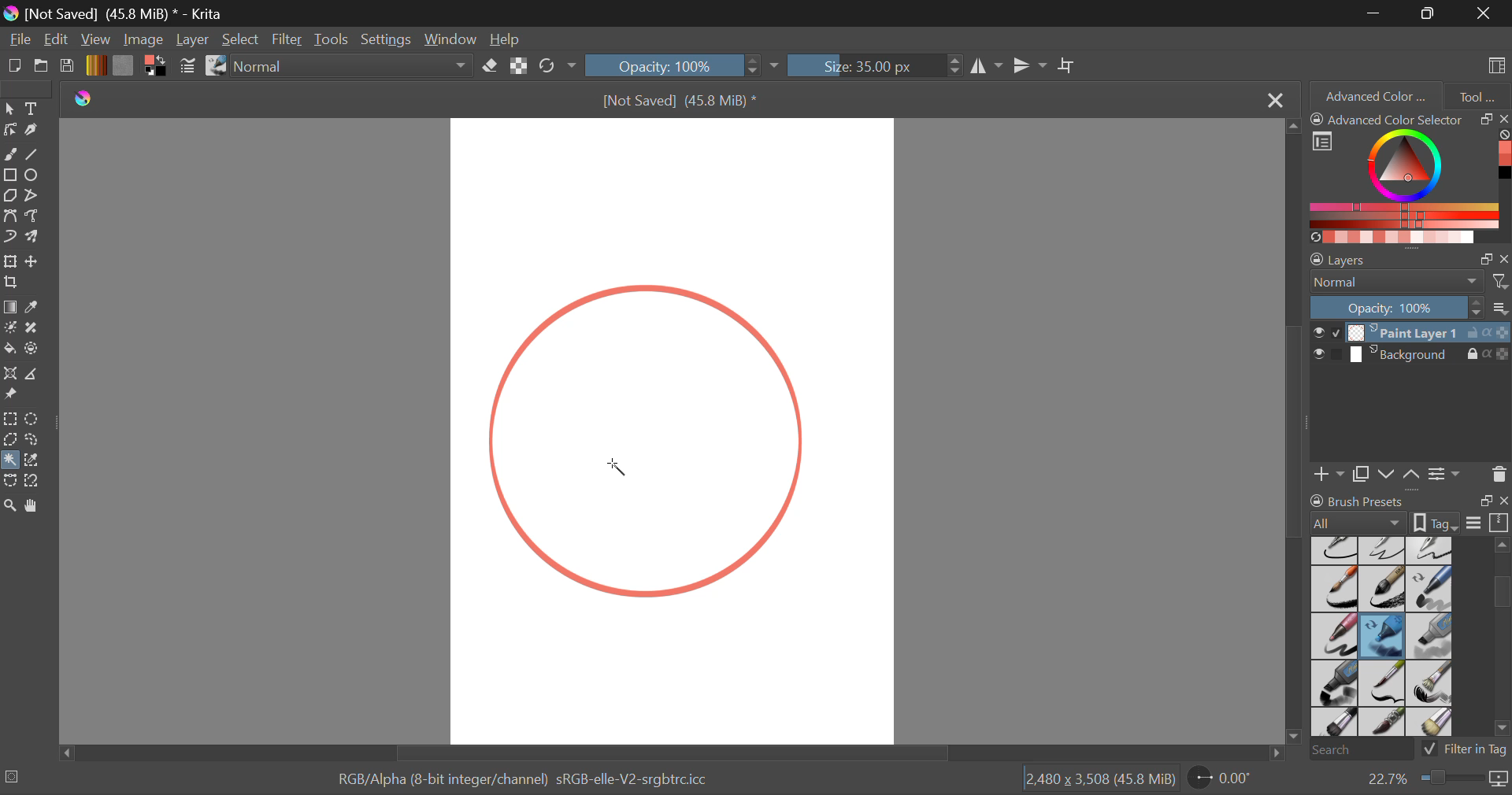  Describe the element at coordinates (1334, 684) in the screenshot. I see `Marker Plain` at that location.